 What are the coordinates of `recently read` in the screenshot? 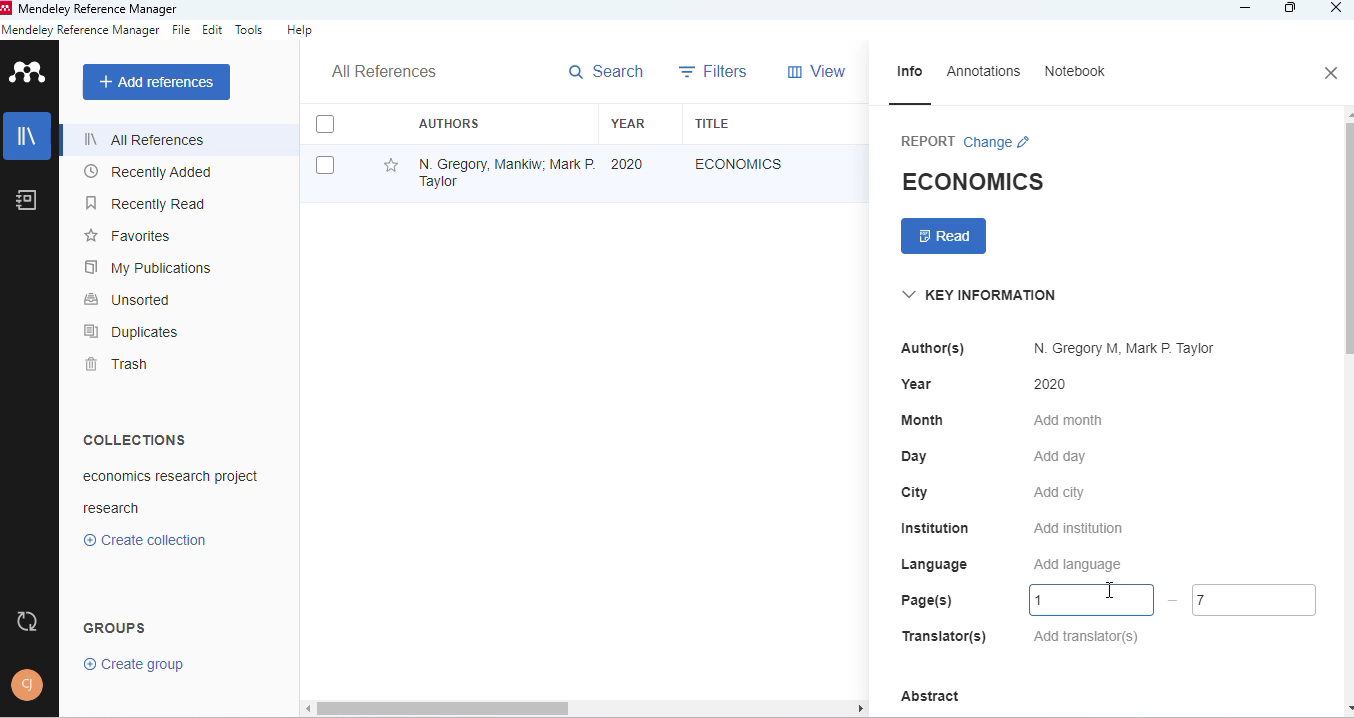 It's located at (146, 203).